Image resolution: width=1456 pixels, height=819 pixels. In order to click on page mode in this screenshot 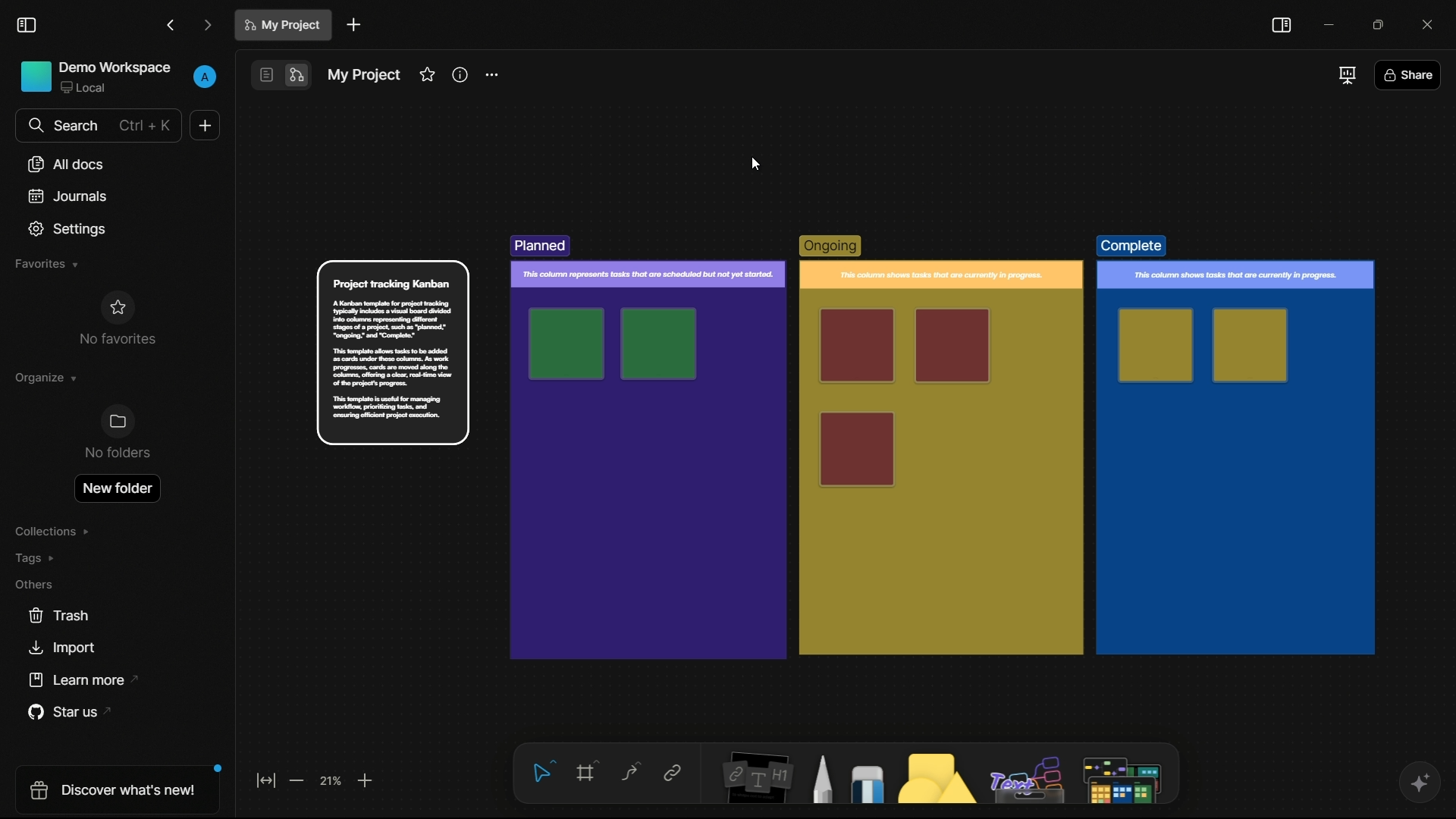, I will do `click(265, 75)`.